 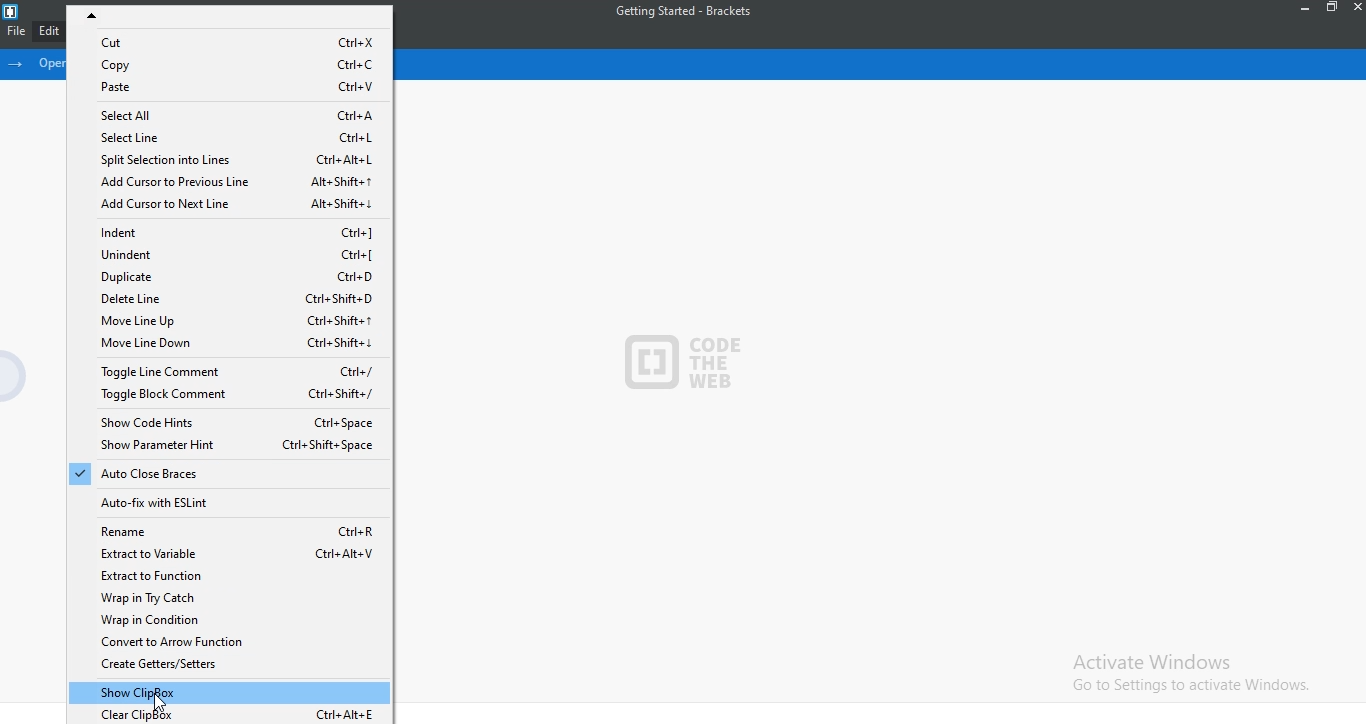 I want to click on Add cursor to next line, so click(x=230, y=204).